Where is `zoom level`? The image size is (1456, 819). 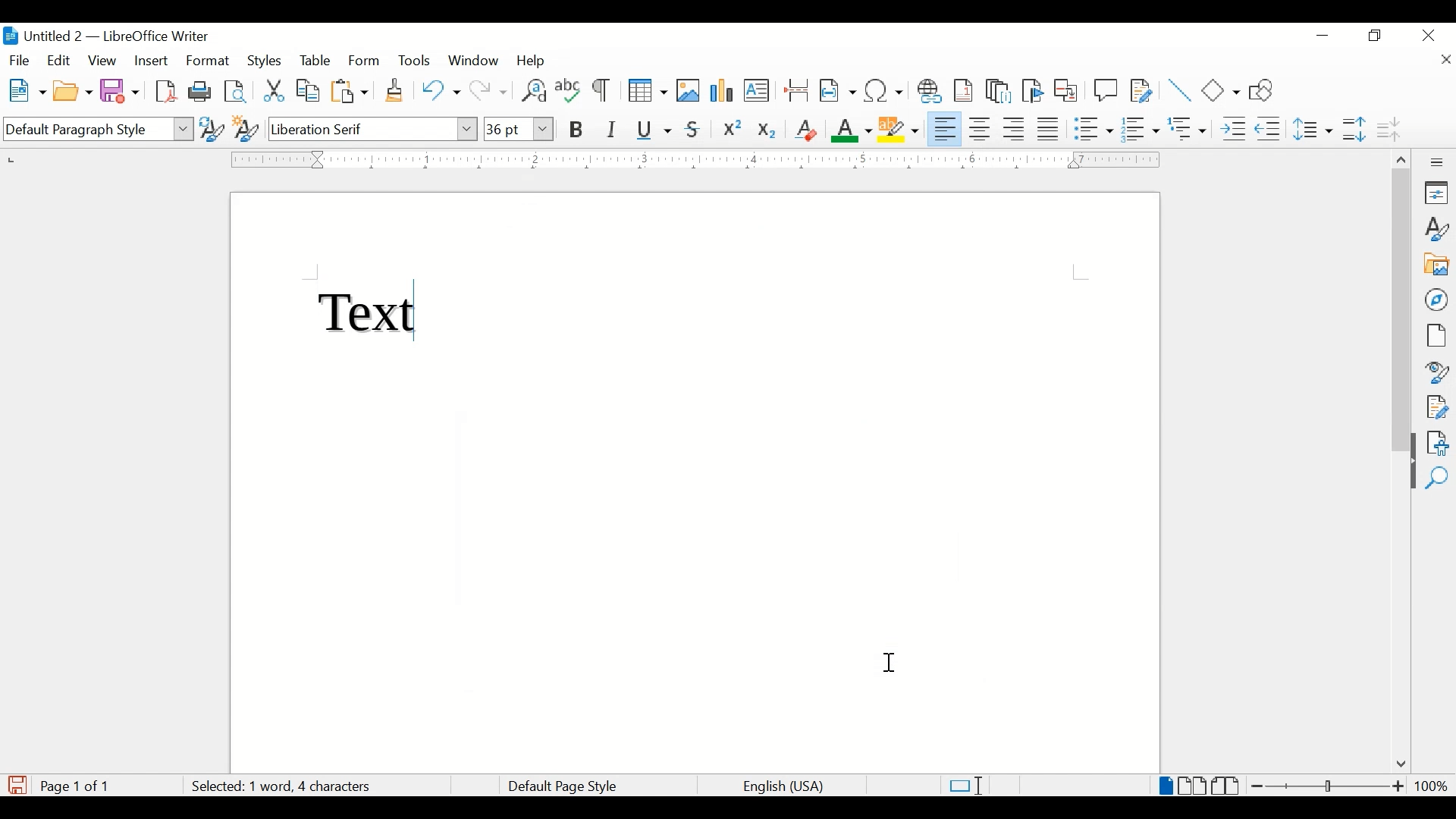
zoom level is located at coordinates (1431, 786).